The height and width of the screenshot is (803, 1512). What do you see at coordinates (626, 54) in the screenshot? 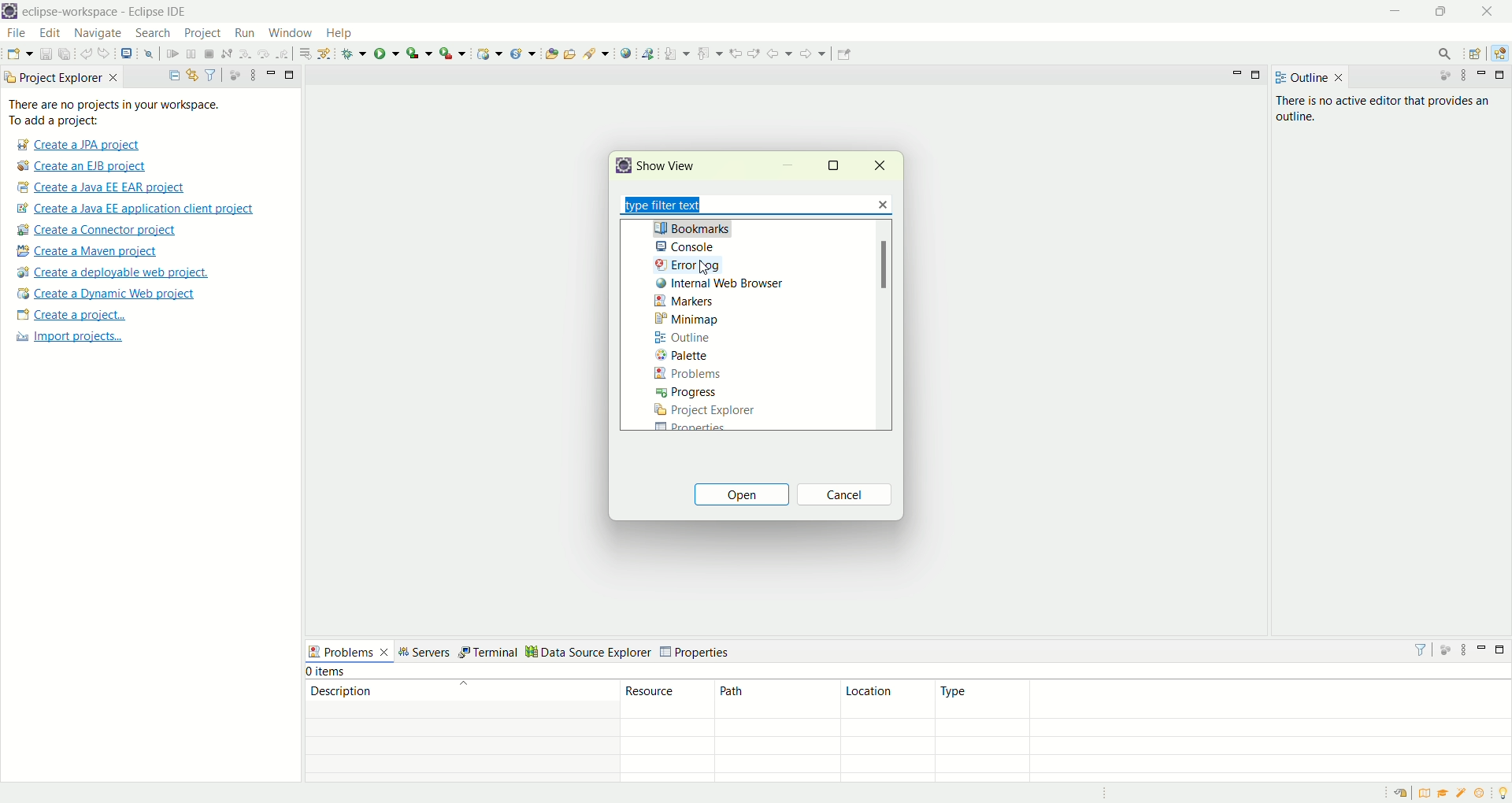
I see `open web browser` at bounding box center [626, 54].